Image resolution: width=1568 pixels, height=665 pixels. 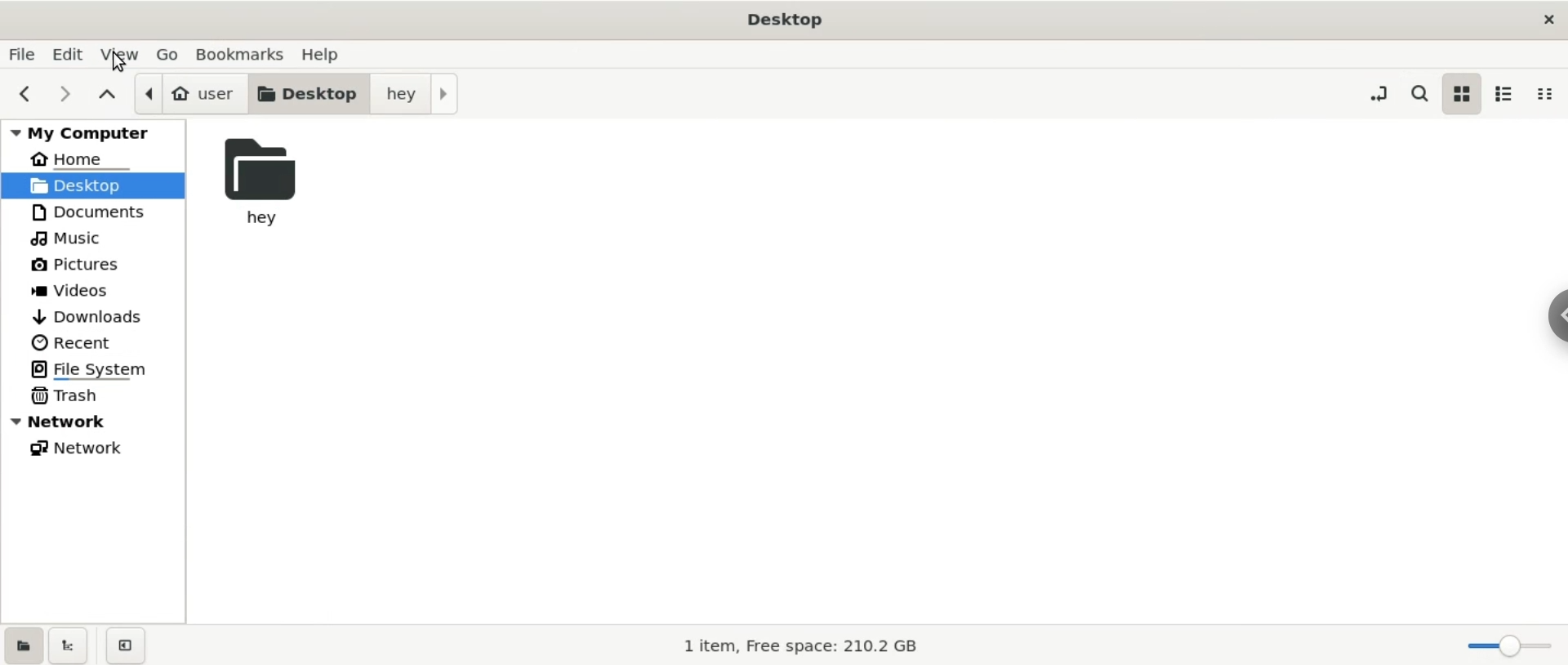 What do you see at coordinates (99, 161) in the screenshot?
I see `home` at bounding box center [99, 161].